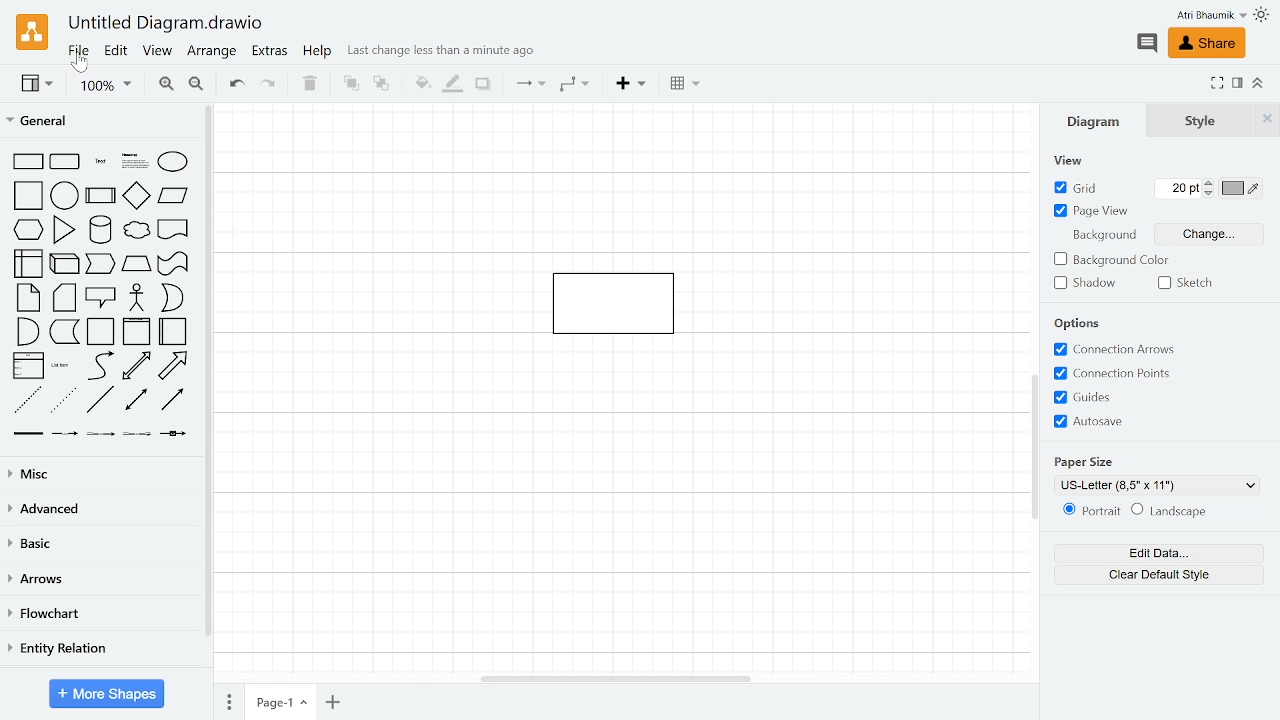 This screenshot has height=720, width=1280. What do you see at coordinates (1078, 325) in the screenshot?
I see `Options` at bounding box center [1078, 325].